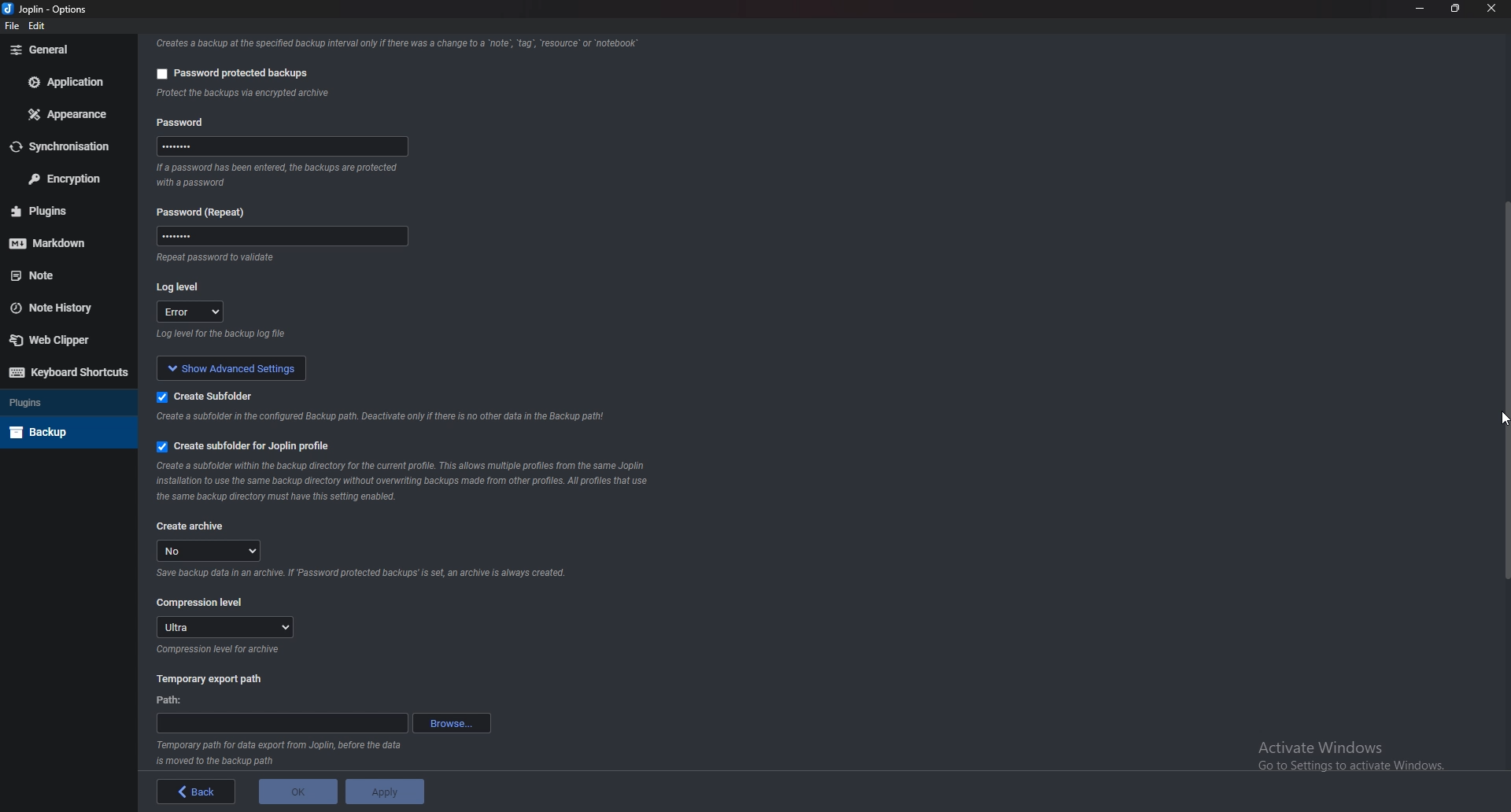 The height and width of the screenshot is (812, 1511). What do you see at coordinates (360, 576) in the screenshot?
I see `Info` at bounding box center [360, 576].